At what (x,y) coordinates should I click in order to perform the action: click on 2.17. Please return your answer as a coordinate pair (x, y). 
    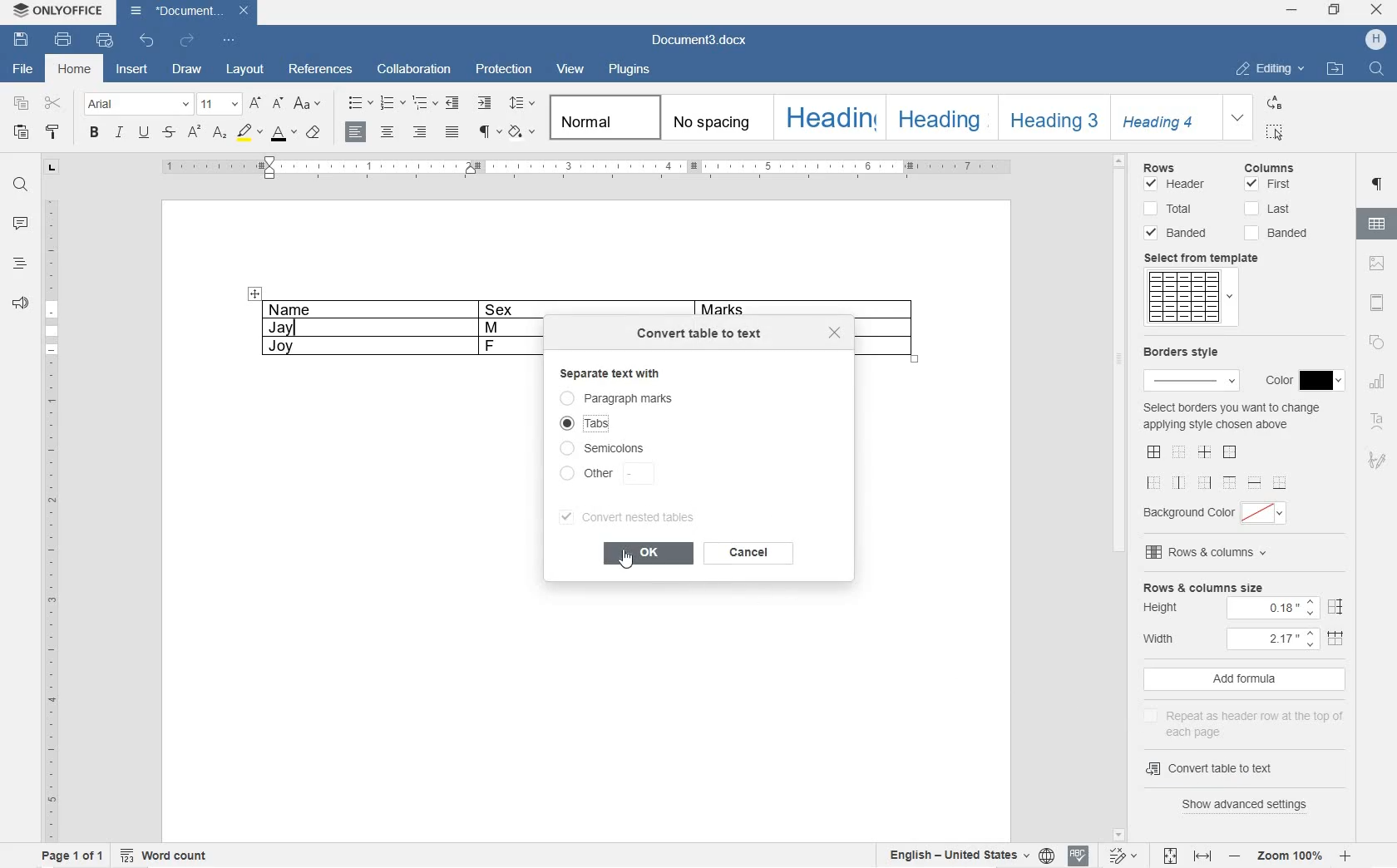
    Looking at the image, I should click on (1275, 640).